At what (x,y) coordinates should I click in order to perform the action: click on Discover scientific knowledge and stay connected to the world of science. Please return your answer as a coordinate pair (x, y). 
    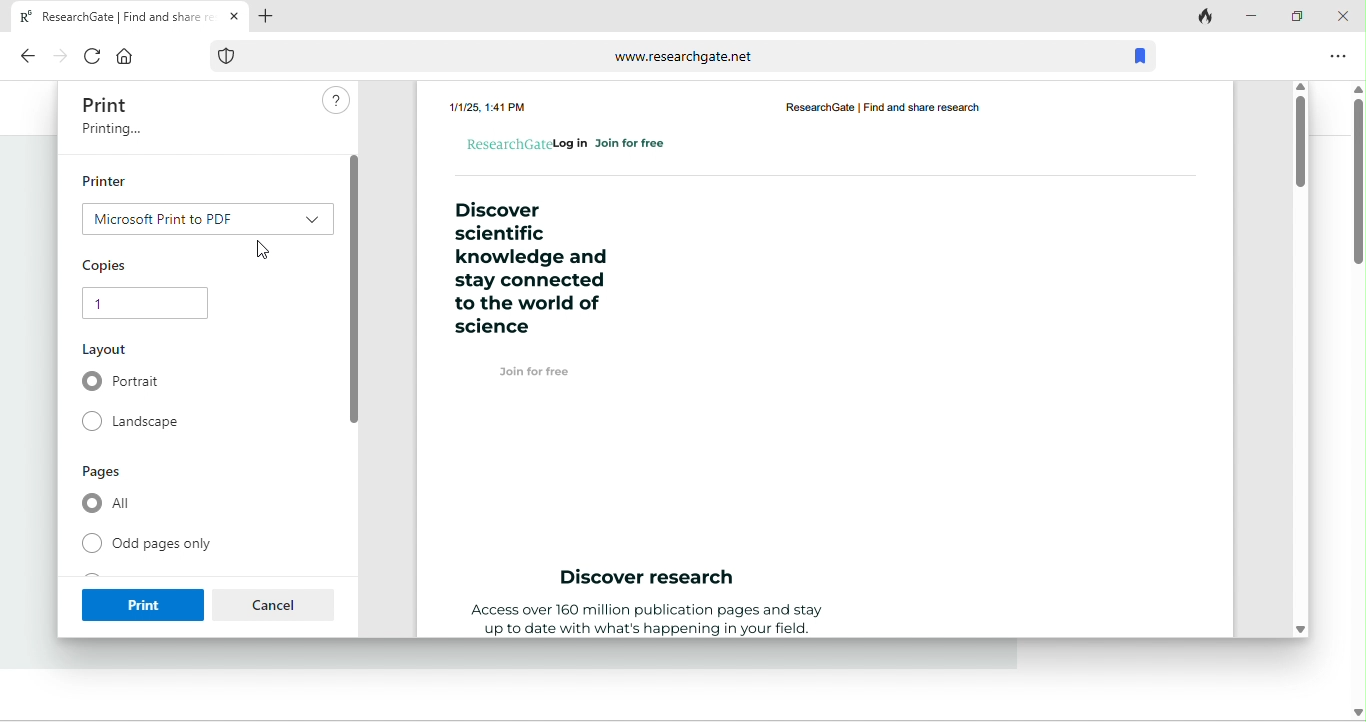
    Looking at the image, I should click on (528, 269).